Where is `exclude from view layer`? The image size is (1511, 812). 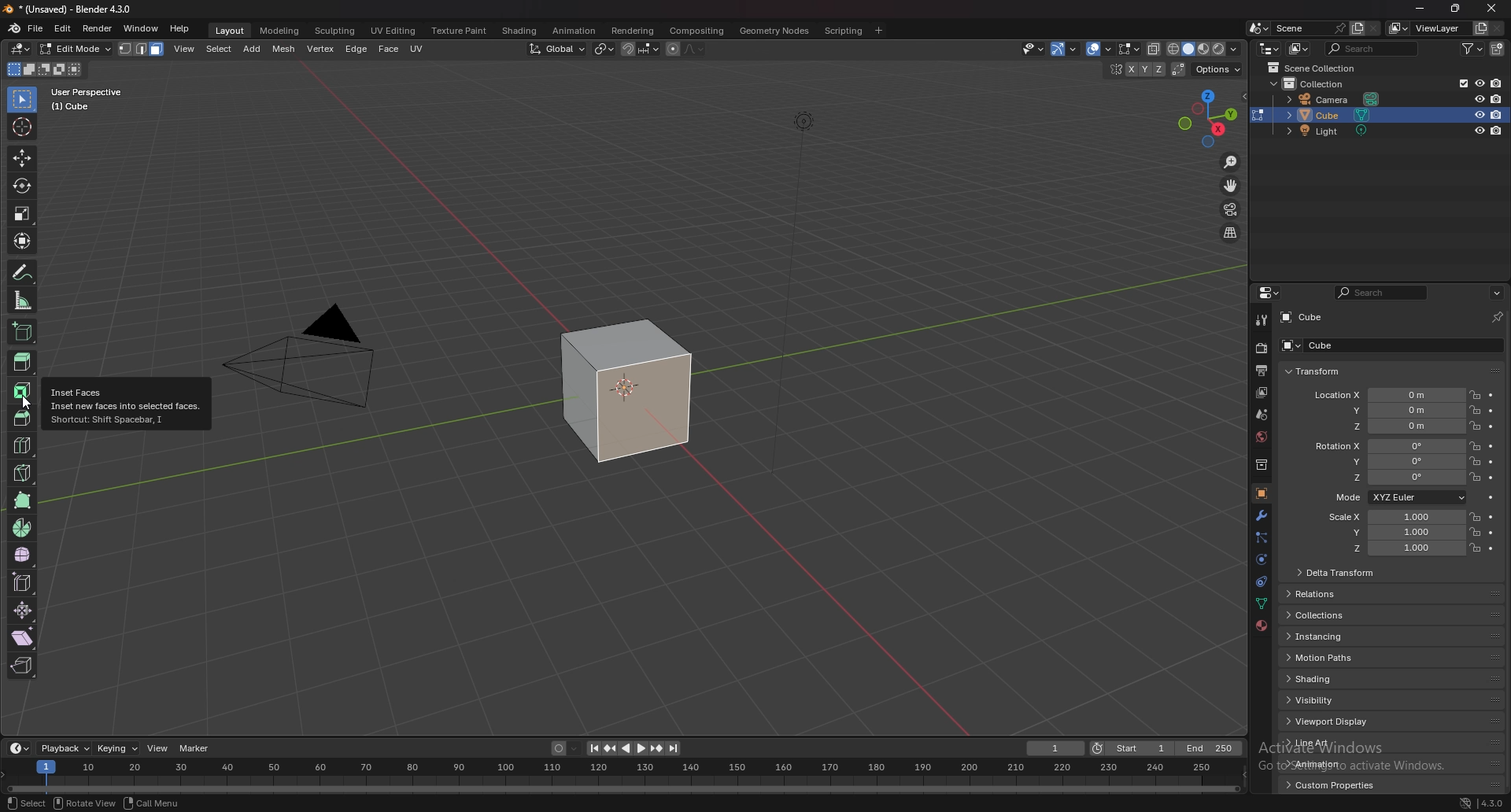
exclude from view layer is located at coordinates (1457, 83).